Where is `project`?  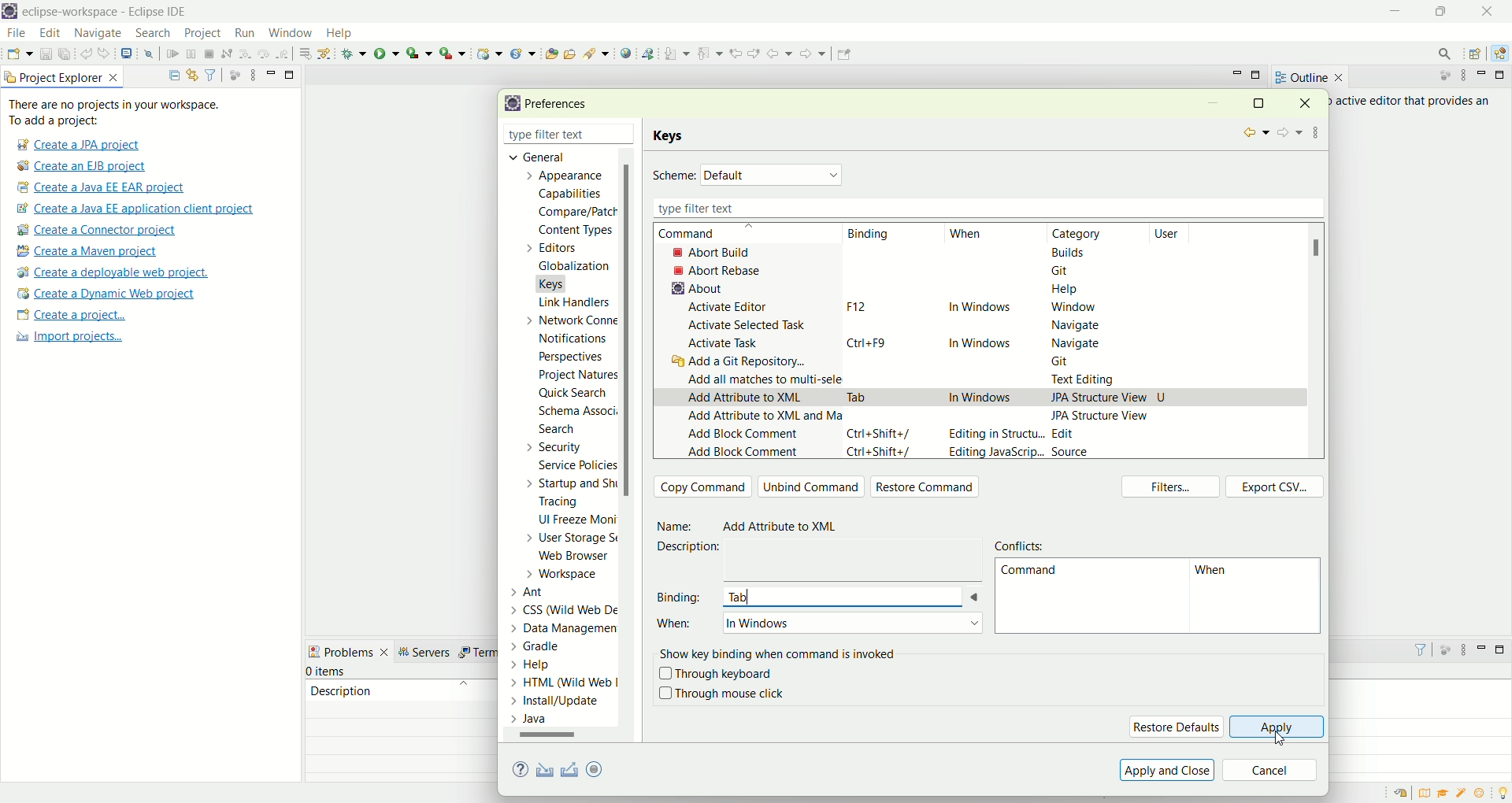 project is located at coordinates (202, 33).